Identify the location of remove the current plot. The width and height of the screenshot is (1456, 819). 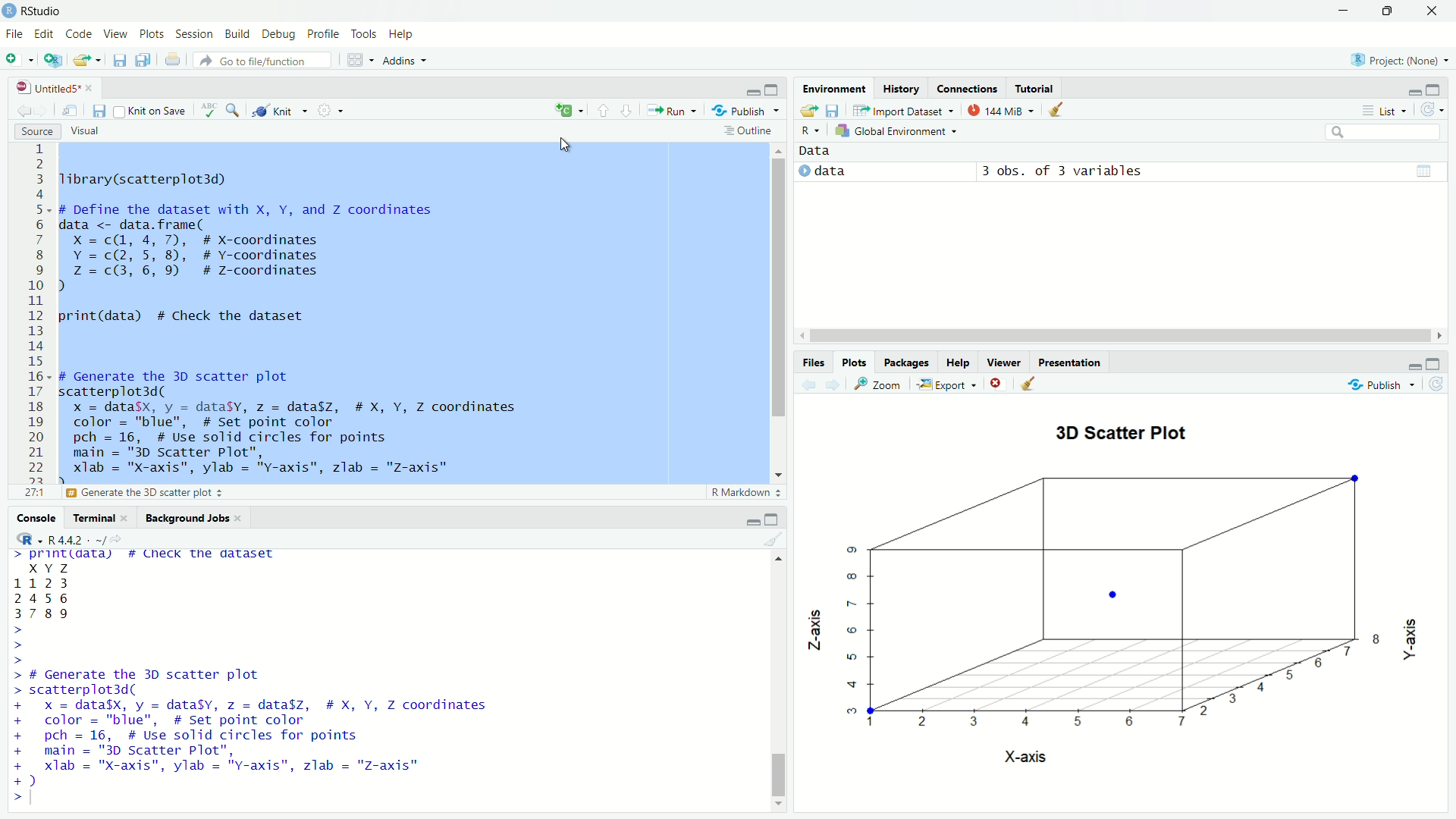
(995, 384).